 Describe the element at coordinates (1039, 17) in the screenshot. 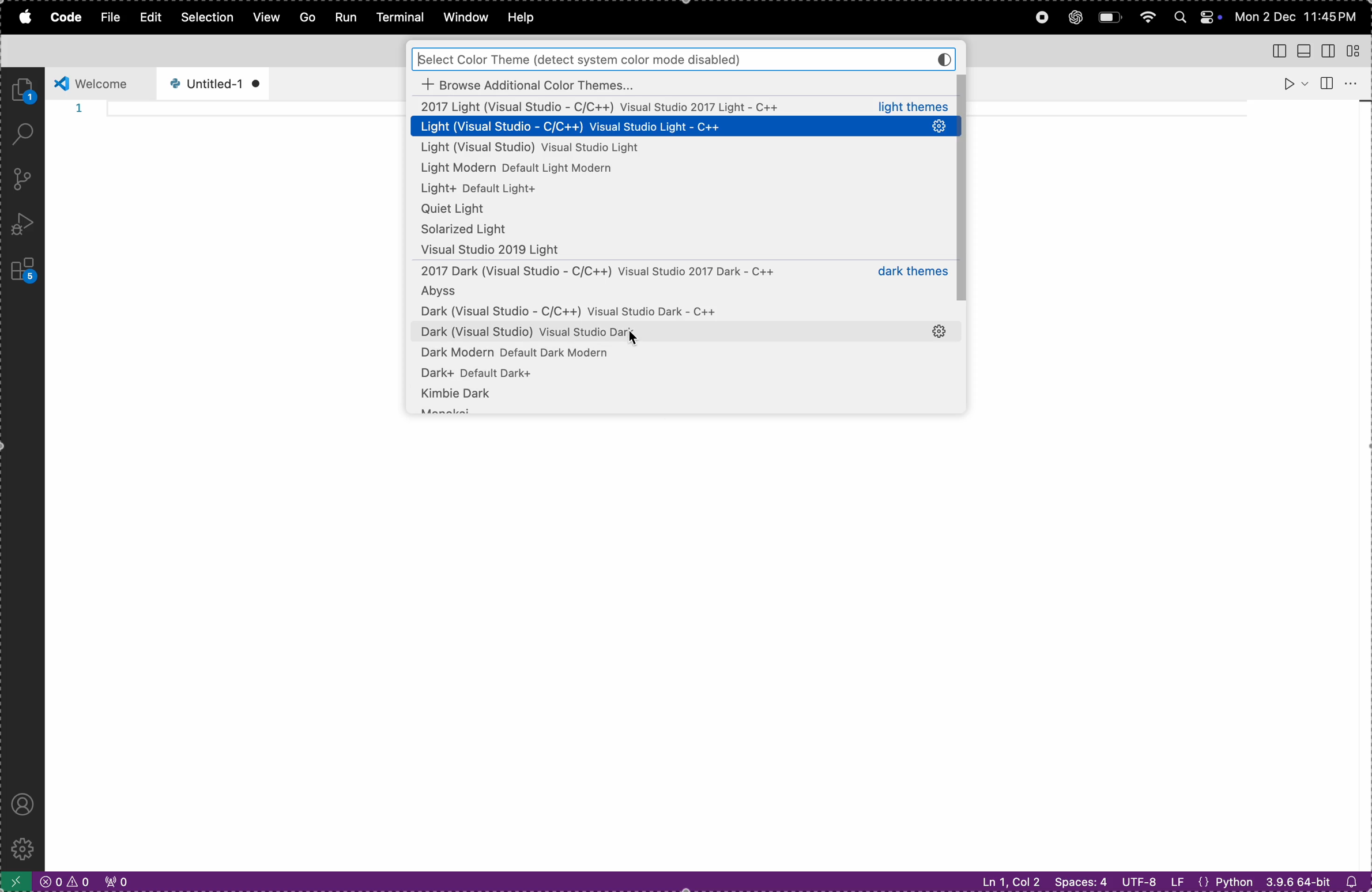

I see `record` at that location.